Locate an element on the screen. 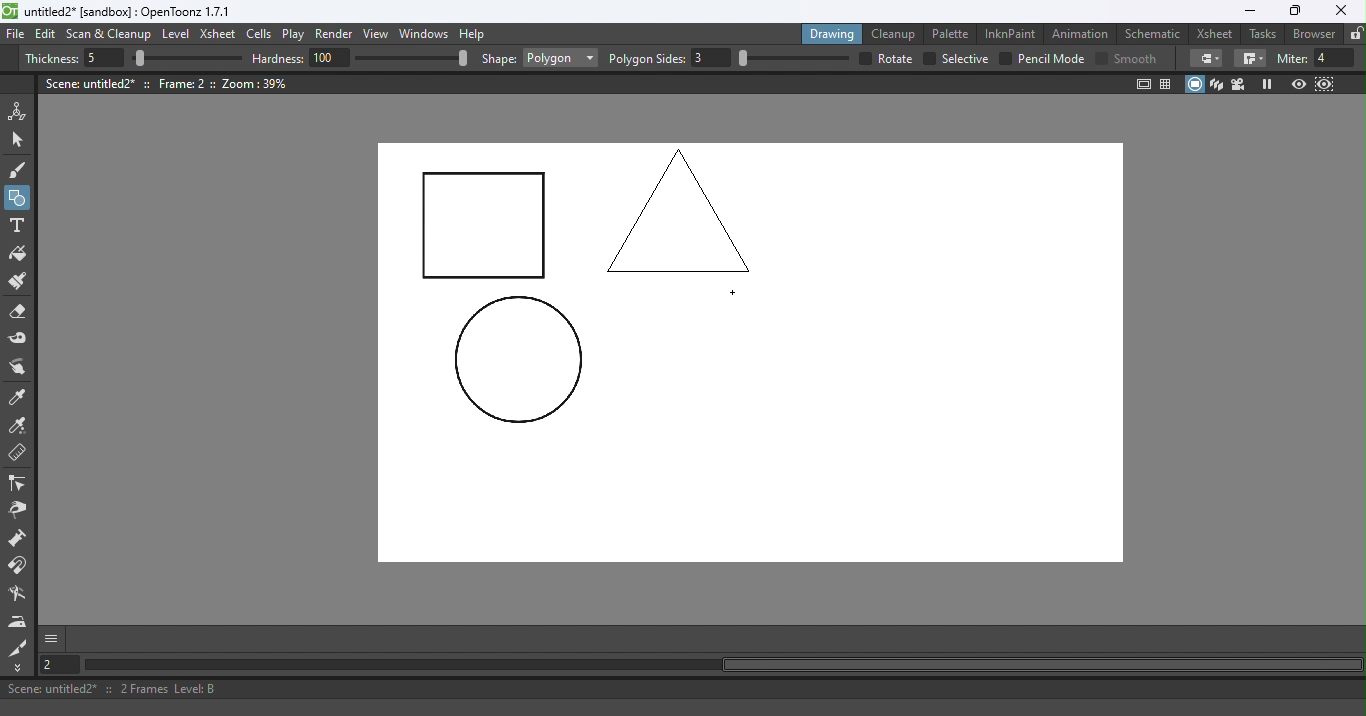 This screenshot has height=716, width=1366. Animate tool is located at coordinates (21, 111).